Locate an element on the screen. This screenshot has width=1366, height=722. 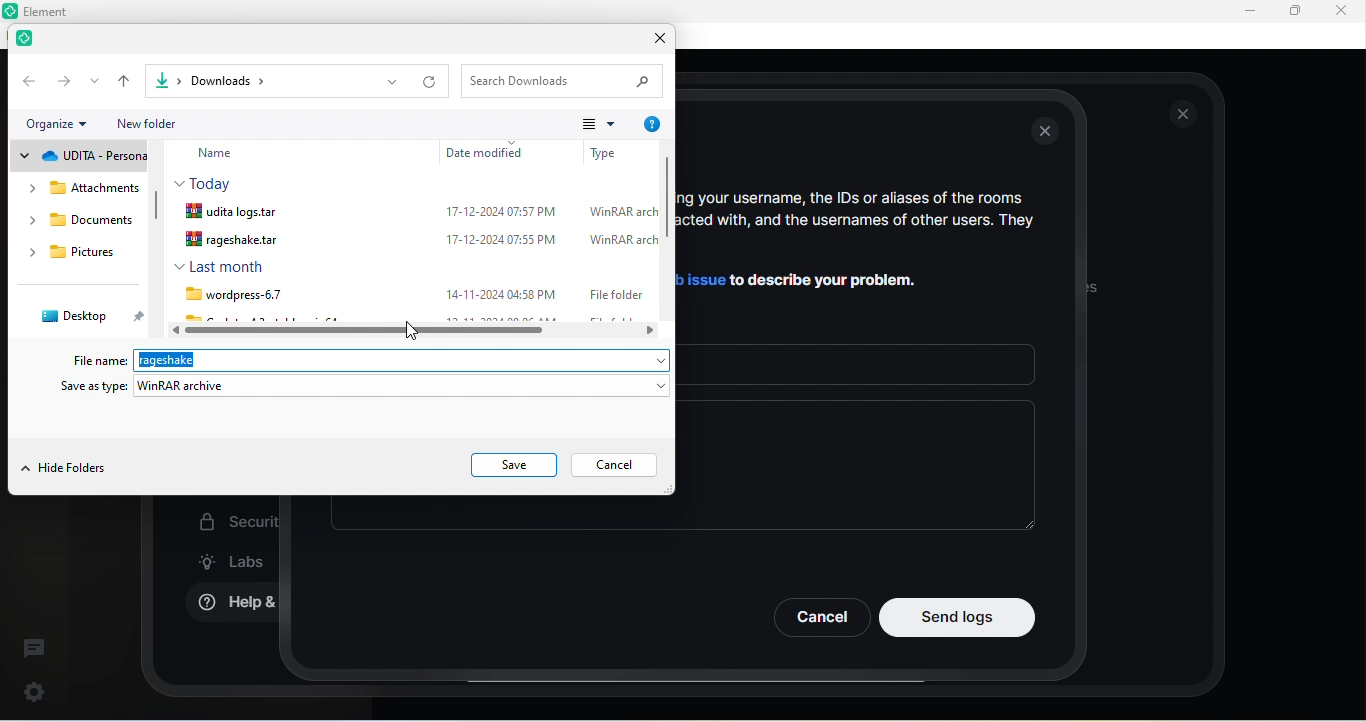
horizontal slider is located at coordinates (419, 331).